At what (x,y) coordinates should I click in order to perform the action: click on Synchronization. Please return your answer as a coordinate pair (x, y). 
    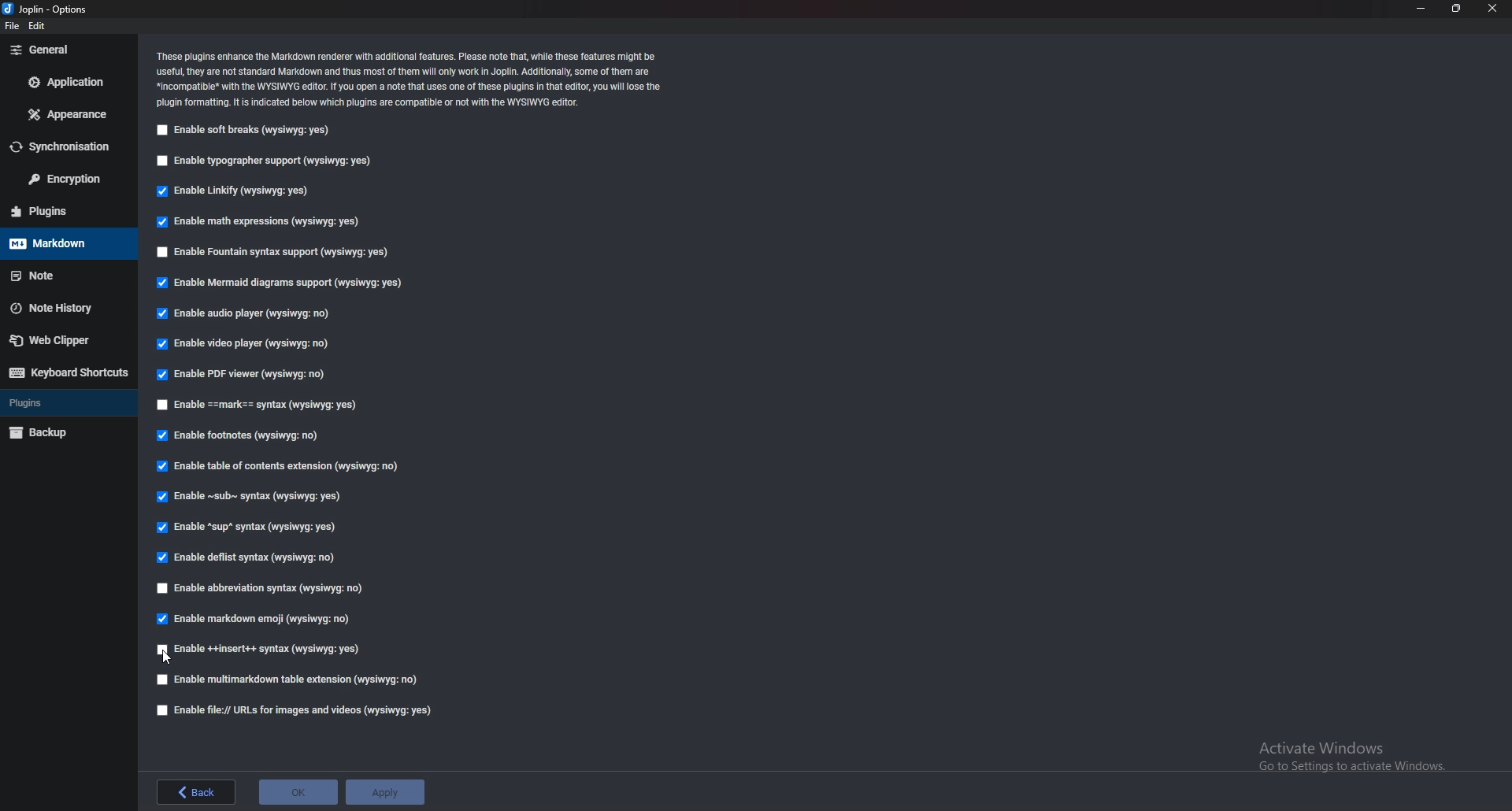
    Looking at the image, I should click on (62, 148).